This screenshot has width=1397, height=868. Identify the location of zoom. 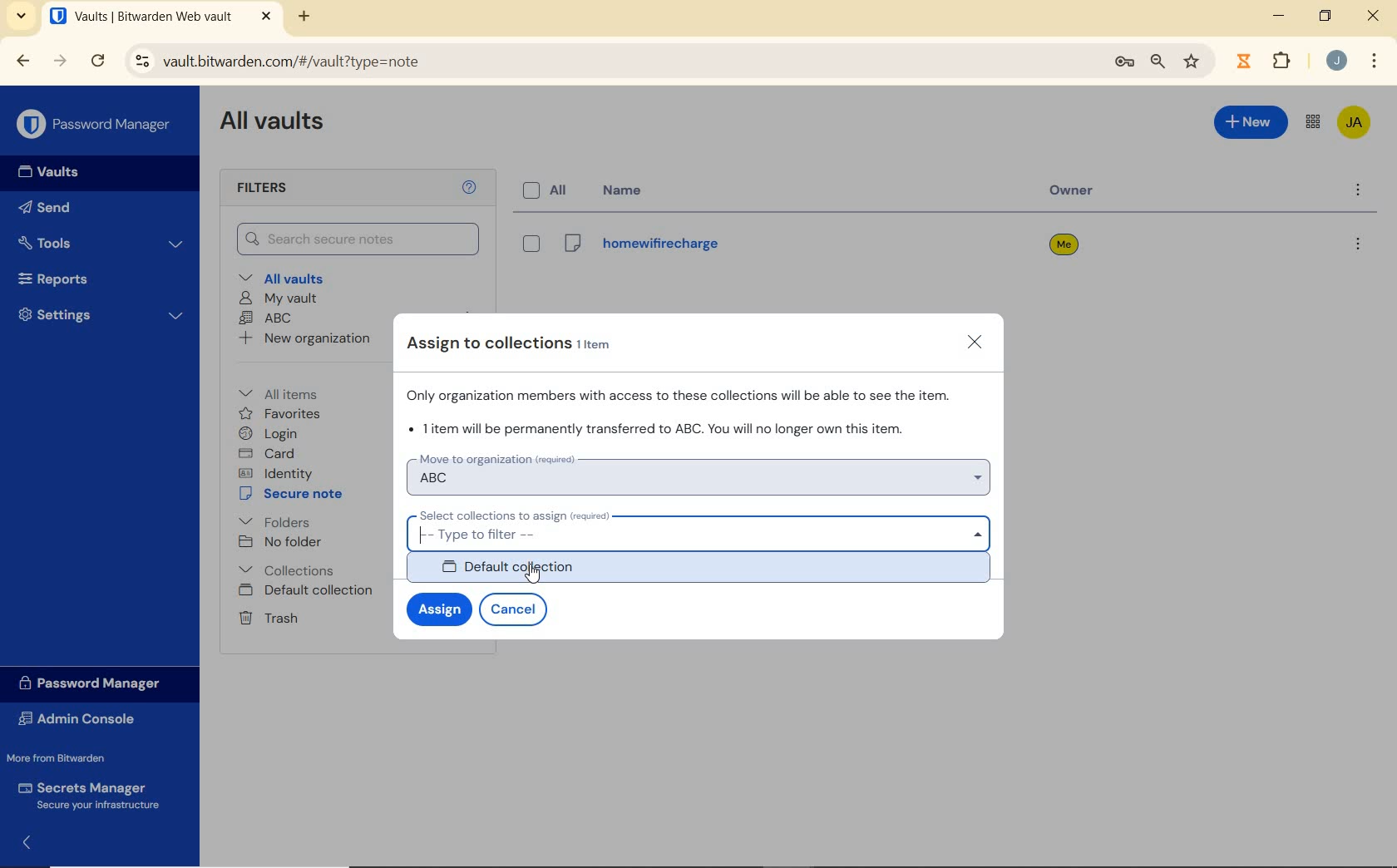
(1158, 63).